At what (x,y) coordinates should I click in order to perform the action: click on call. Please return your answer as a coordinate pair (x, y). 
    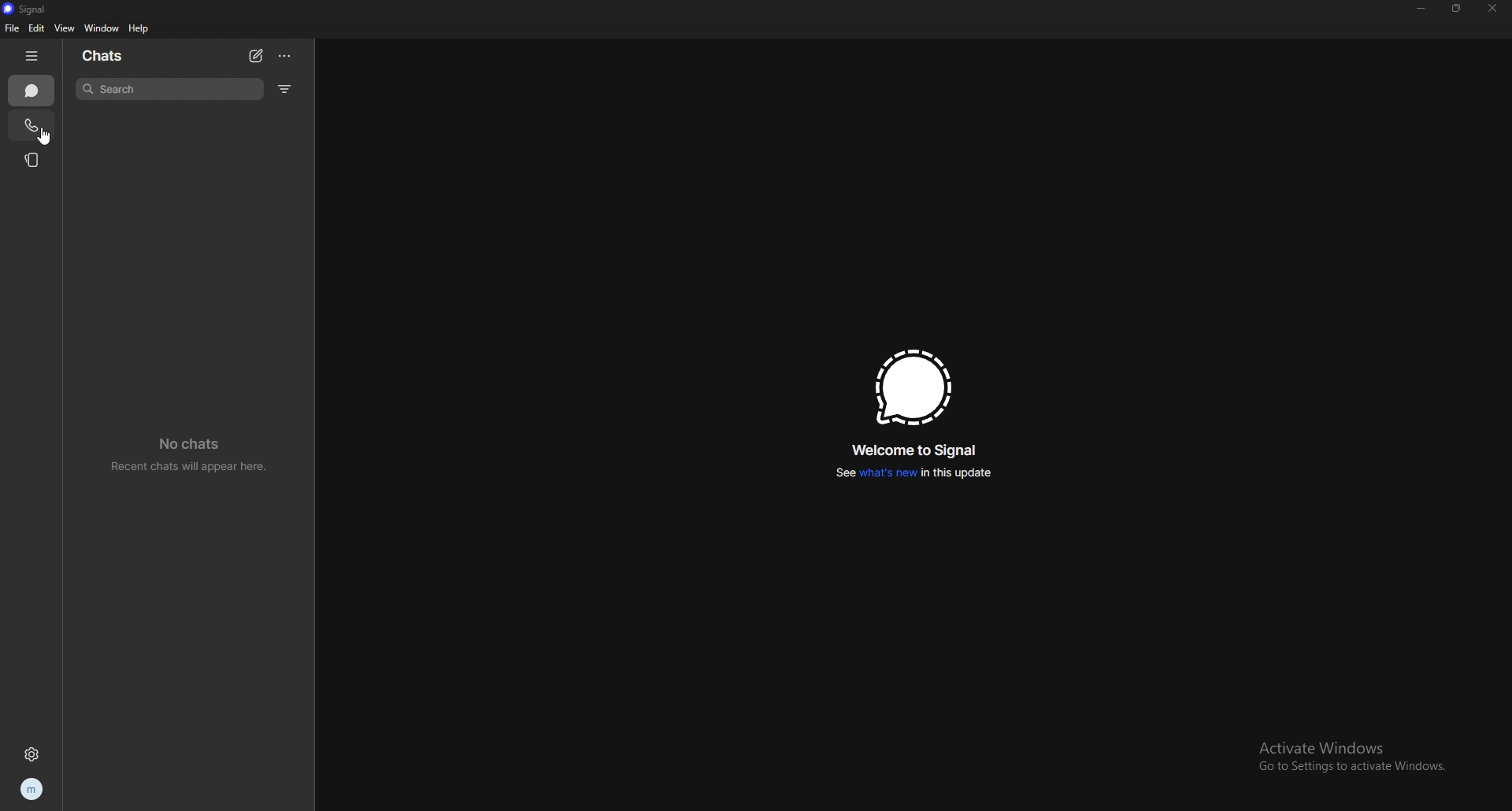
    Looking at the image, I should click on (31, 127).